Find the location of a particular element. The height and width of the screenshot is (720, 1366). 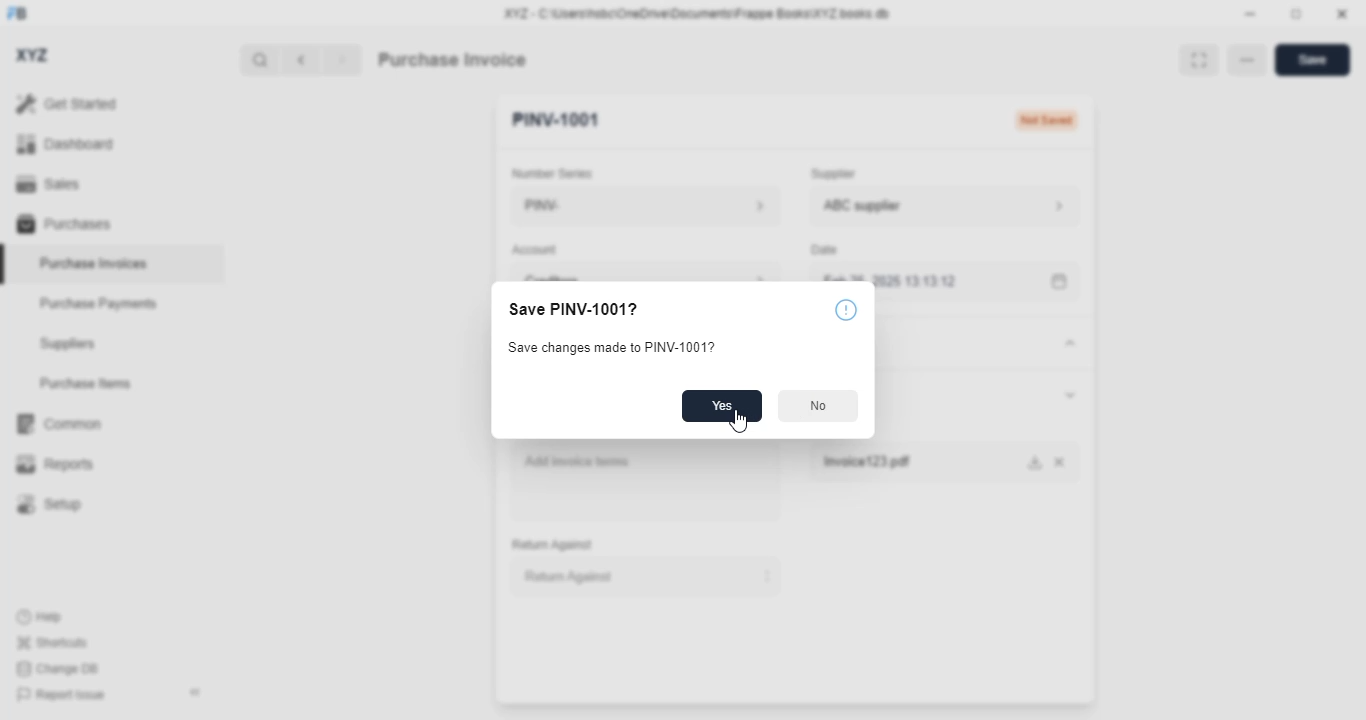

purchase invoices is located at coordinates (96, 263).